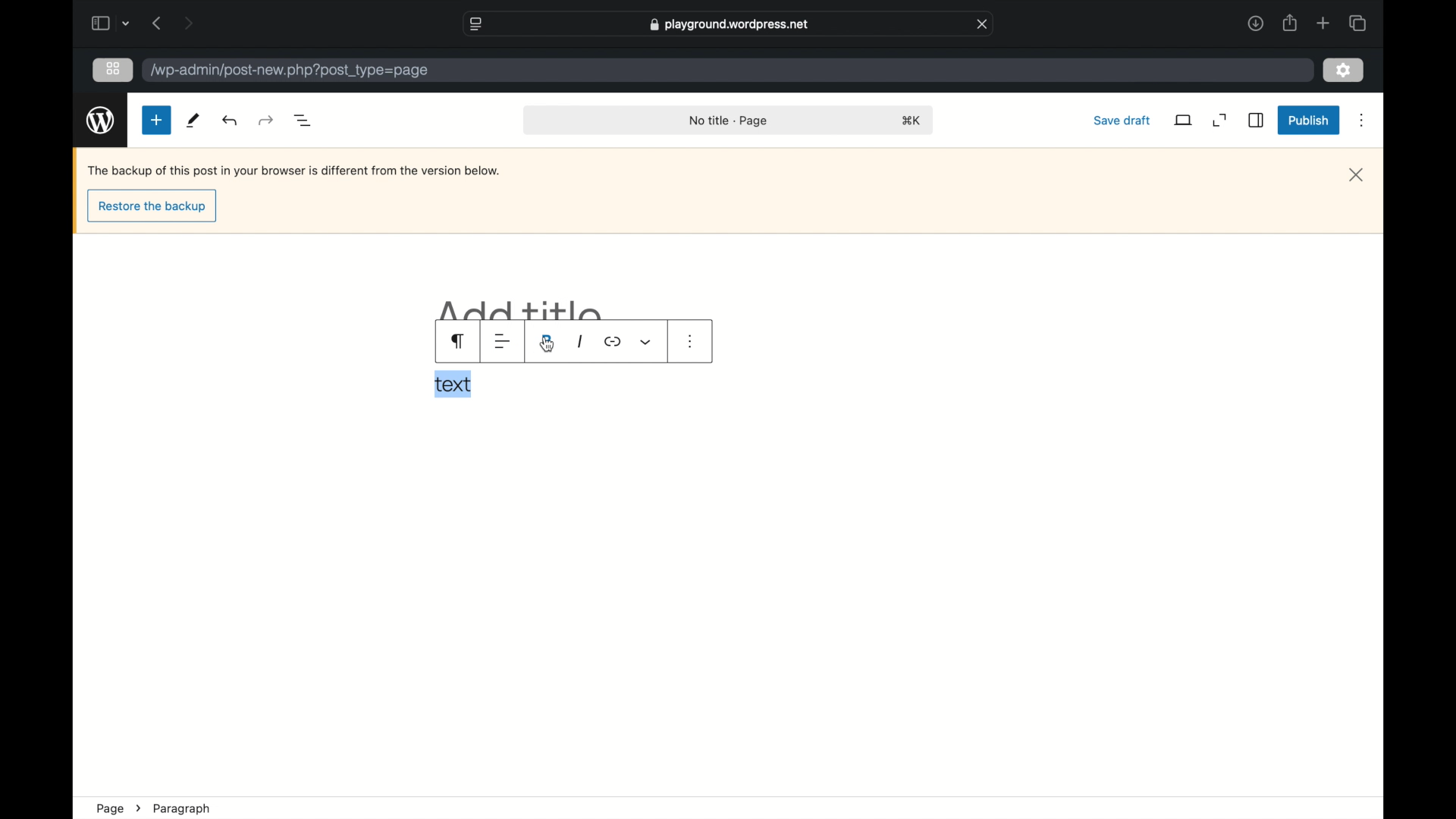 The width and height of the screenshot is (1456, 819). I want to click on close, so click(983, 23).